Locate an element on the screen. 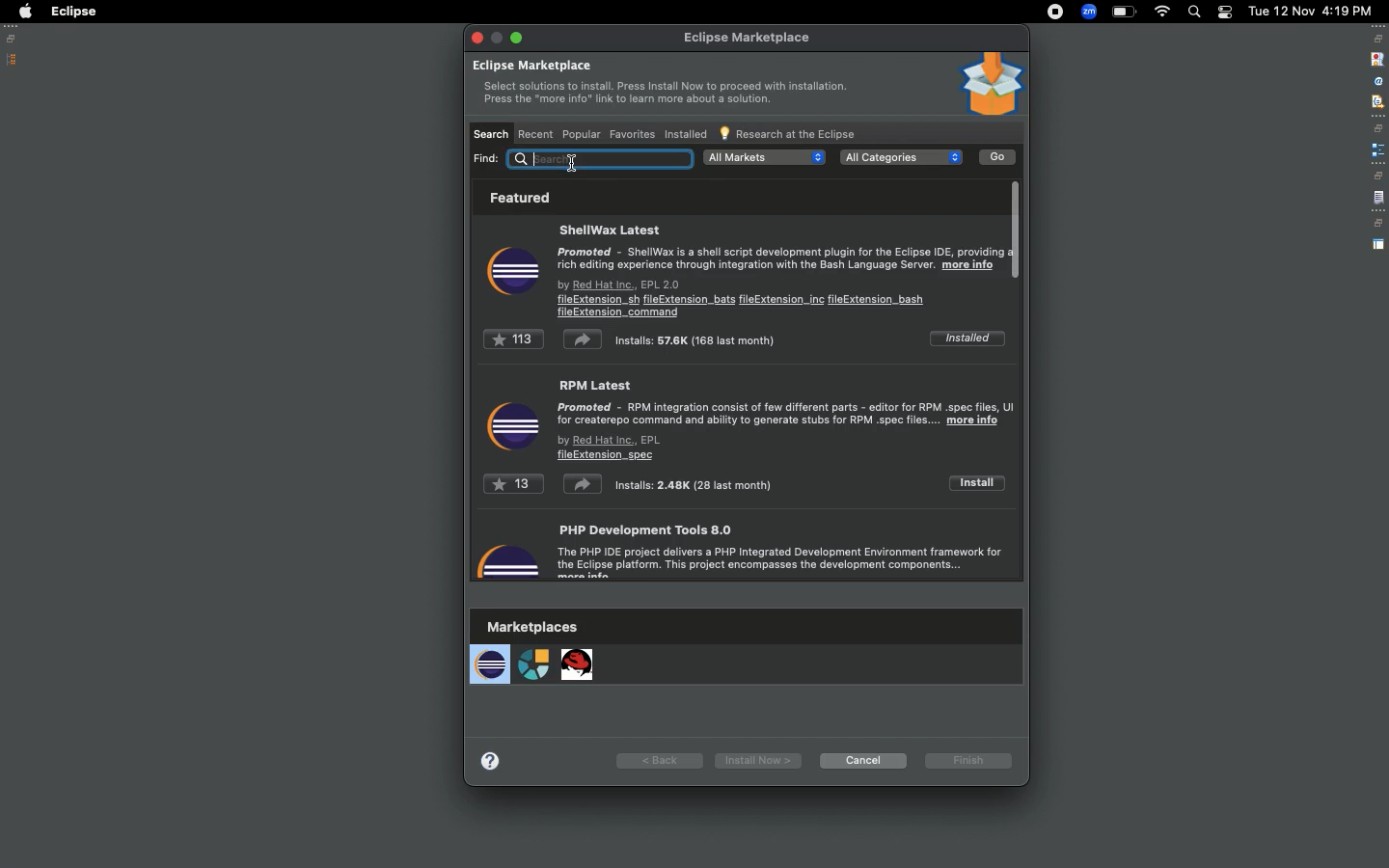  Installs is located at coordinates (628, 487).